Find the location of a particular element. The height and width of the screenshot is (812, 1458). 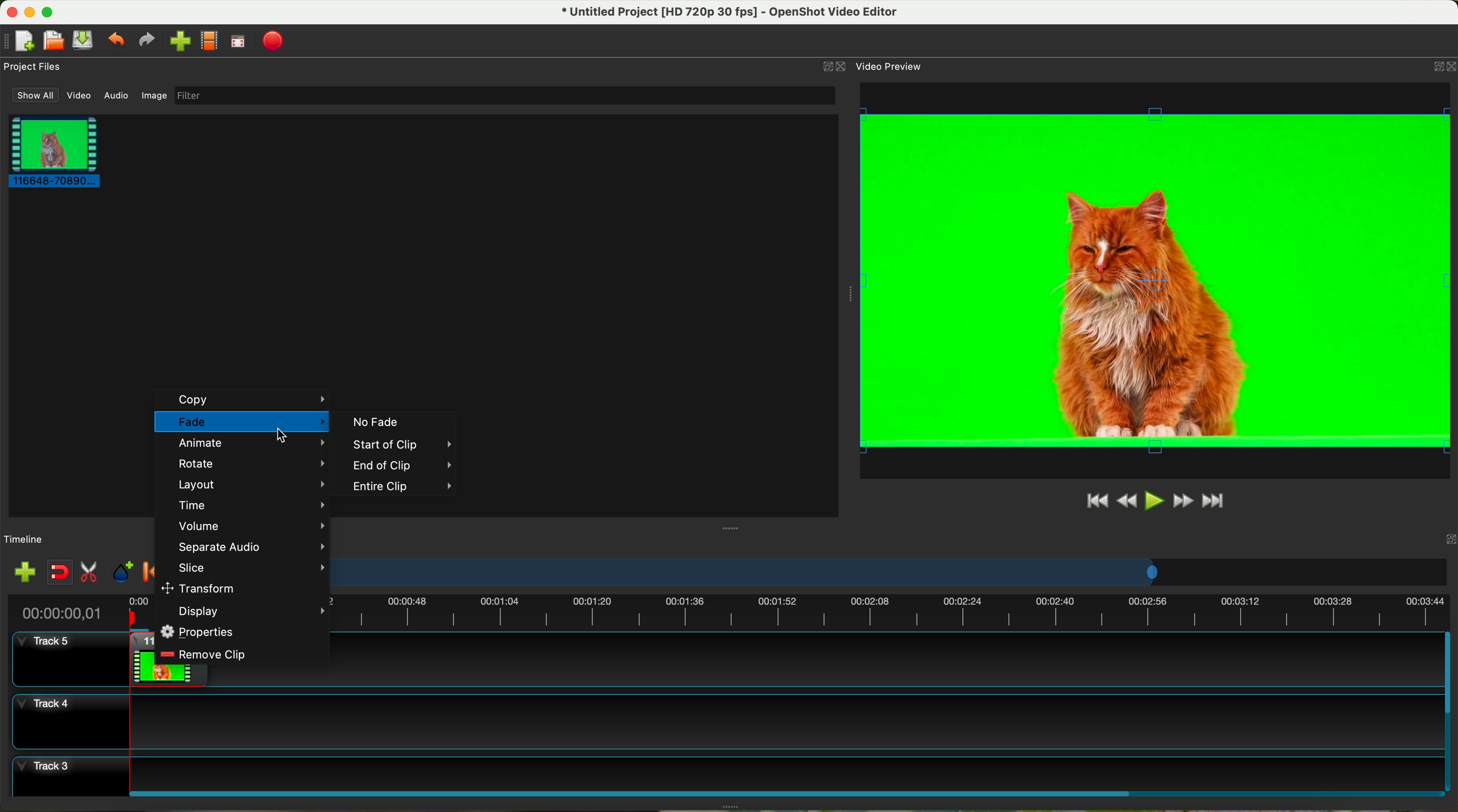

remove clip is located at coordinates (205, 654).